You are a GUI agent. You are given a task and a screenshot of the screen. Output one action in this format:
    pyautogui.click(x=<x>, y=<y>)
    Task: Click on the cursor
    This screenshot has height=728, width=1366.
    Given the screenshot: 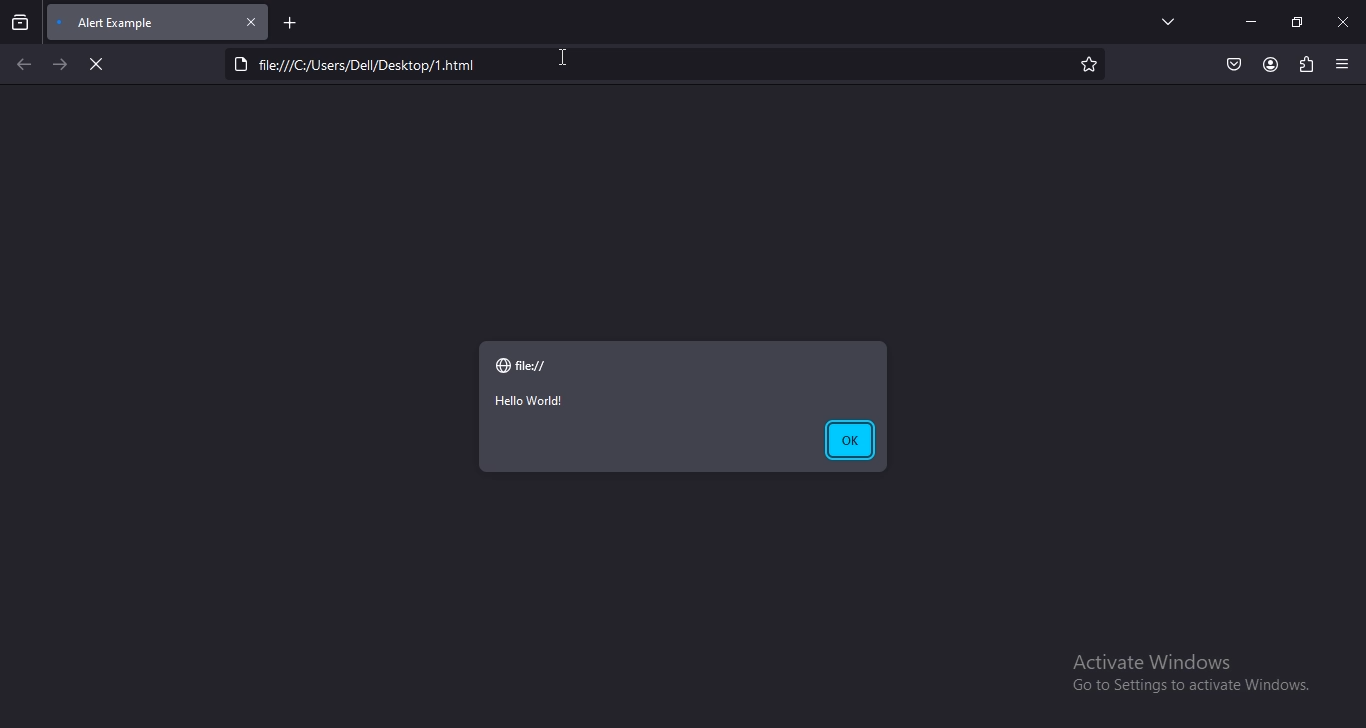 What is the action you would take?
    pyautogui.click(x=565, y=56)
    